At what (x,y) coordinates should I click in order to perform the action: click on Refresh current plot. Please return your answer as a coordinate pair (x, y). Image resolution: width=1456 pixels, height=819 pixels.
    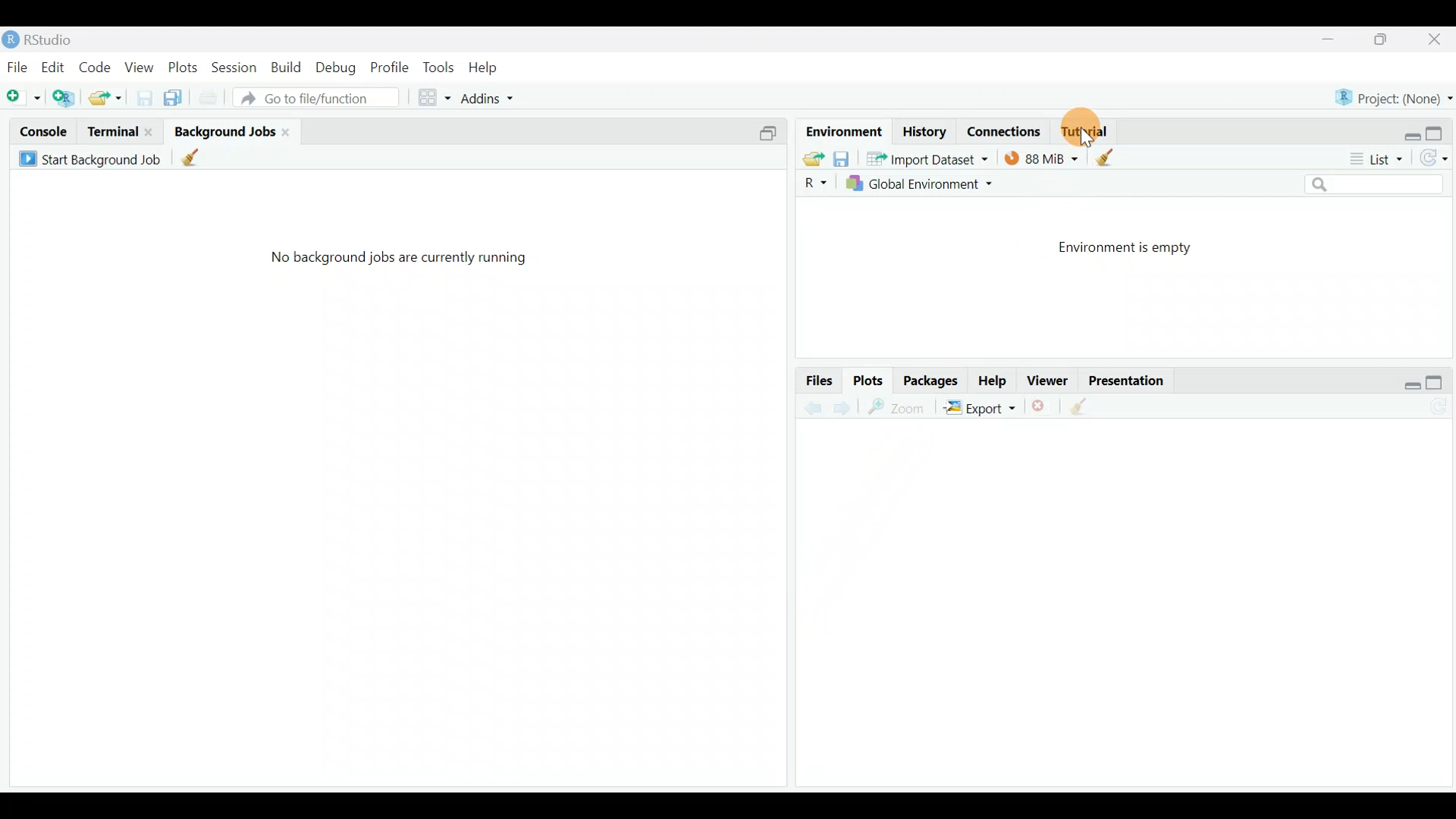
    Looking at the image, I should click on (1436, 404).